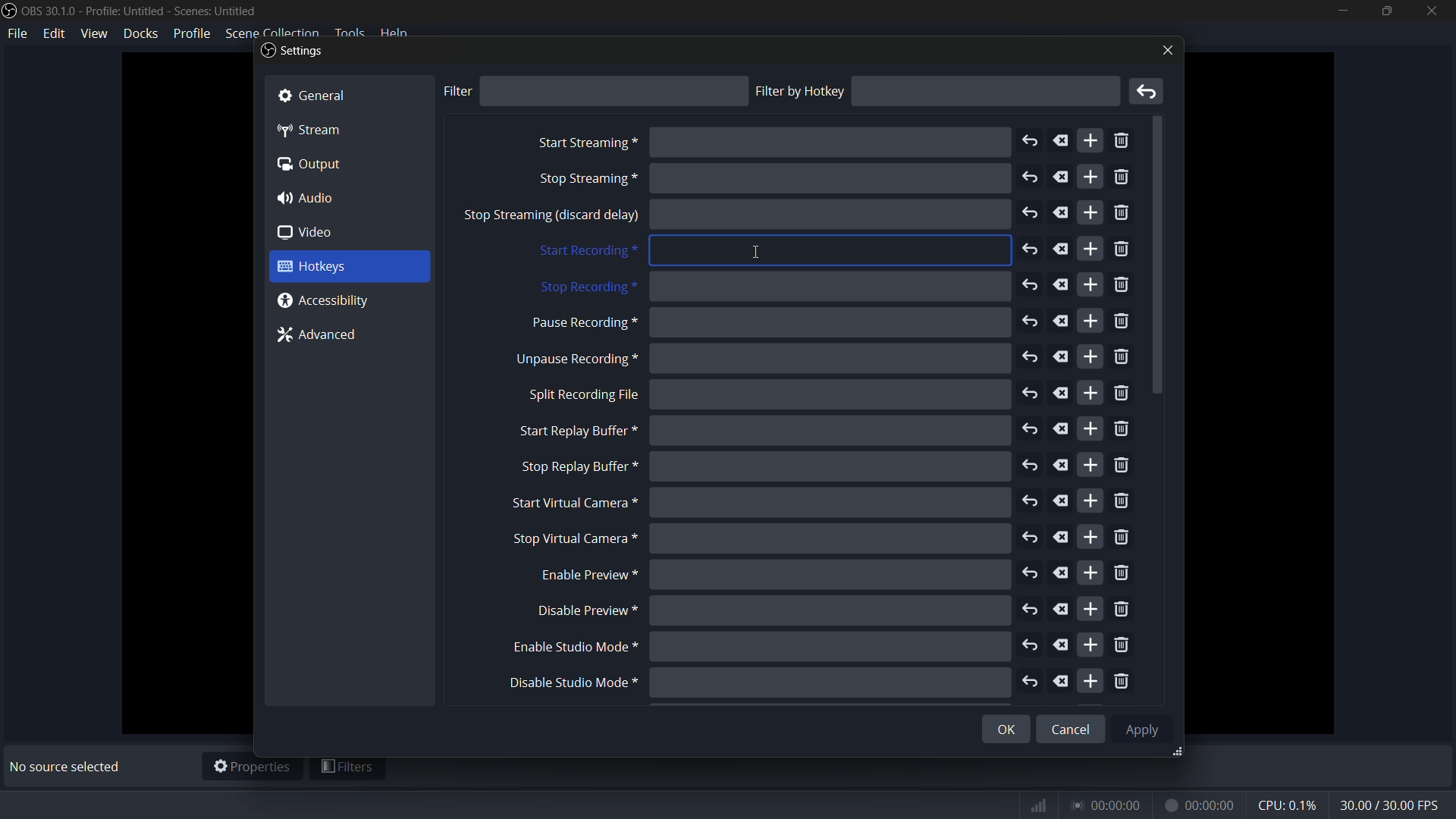 The width and height of the screenshot is (1456, 819). I want to click on close, so click(1165, 50).